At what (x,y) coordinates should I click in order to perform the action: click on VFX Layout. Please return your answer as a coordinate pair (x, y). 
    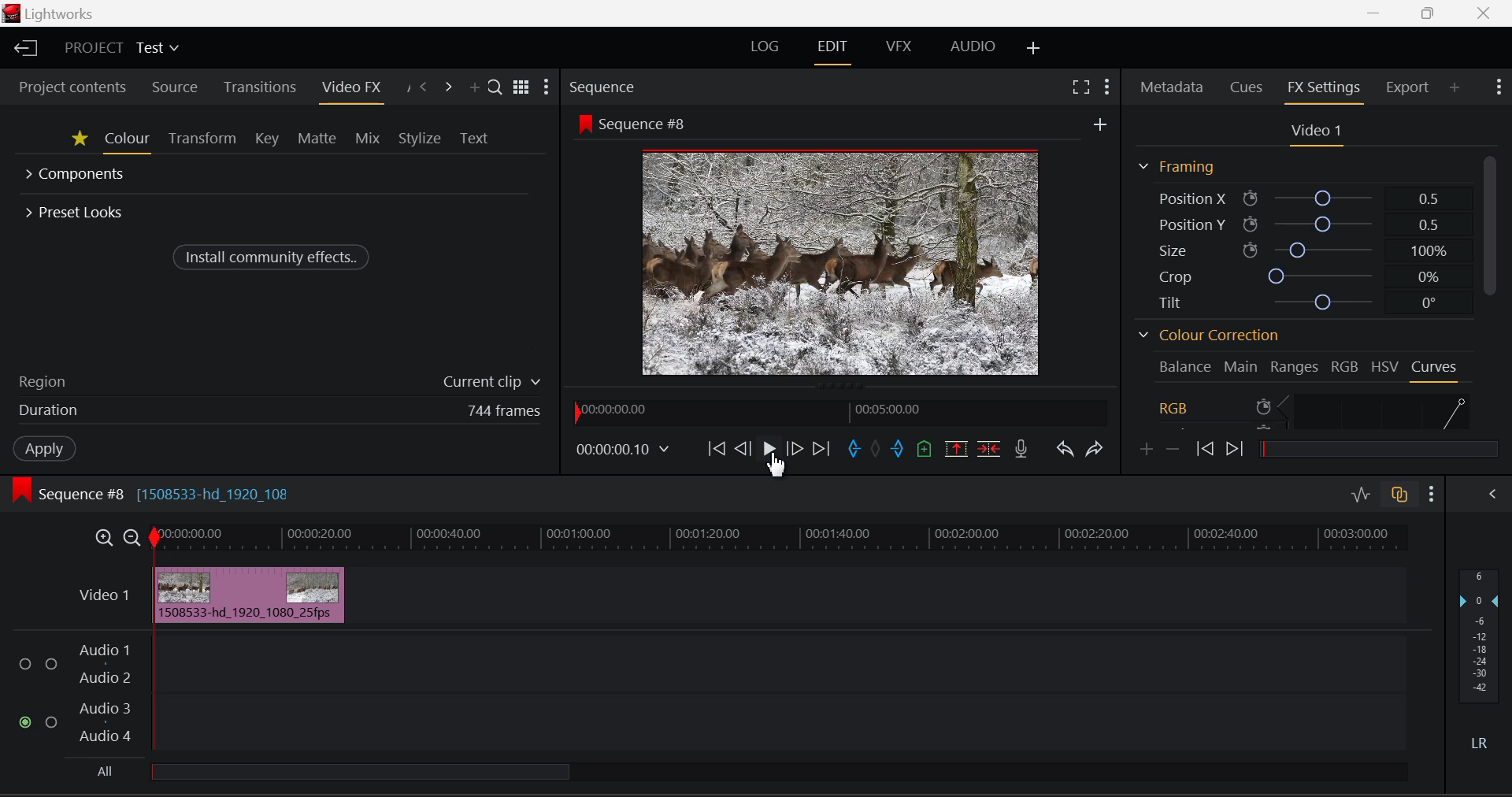
    Looking at the image, I should click on (897, 48).